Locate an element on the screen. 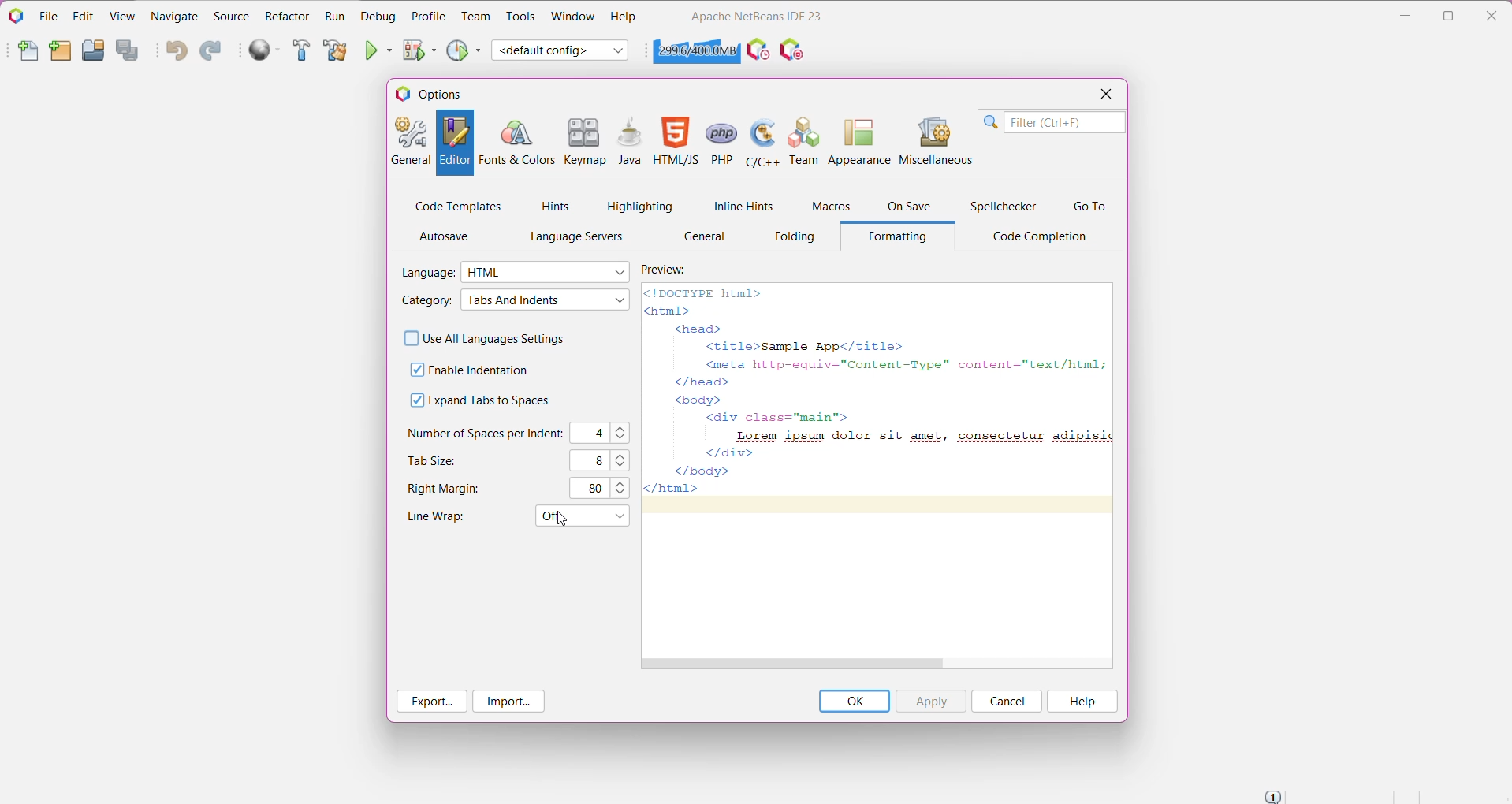  Code Completion is located at coordinates (1044, 237).